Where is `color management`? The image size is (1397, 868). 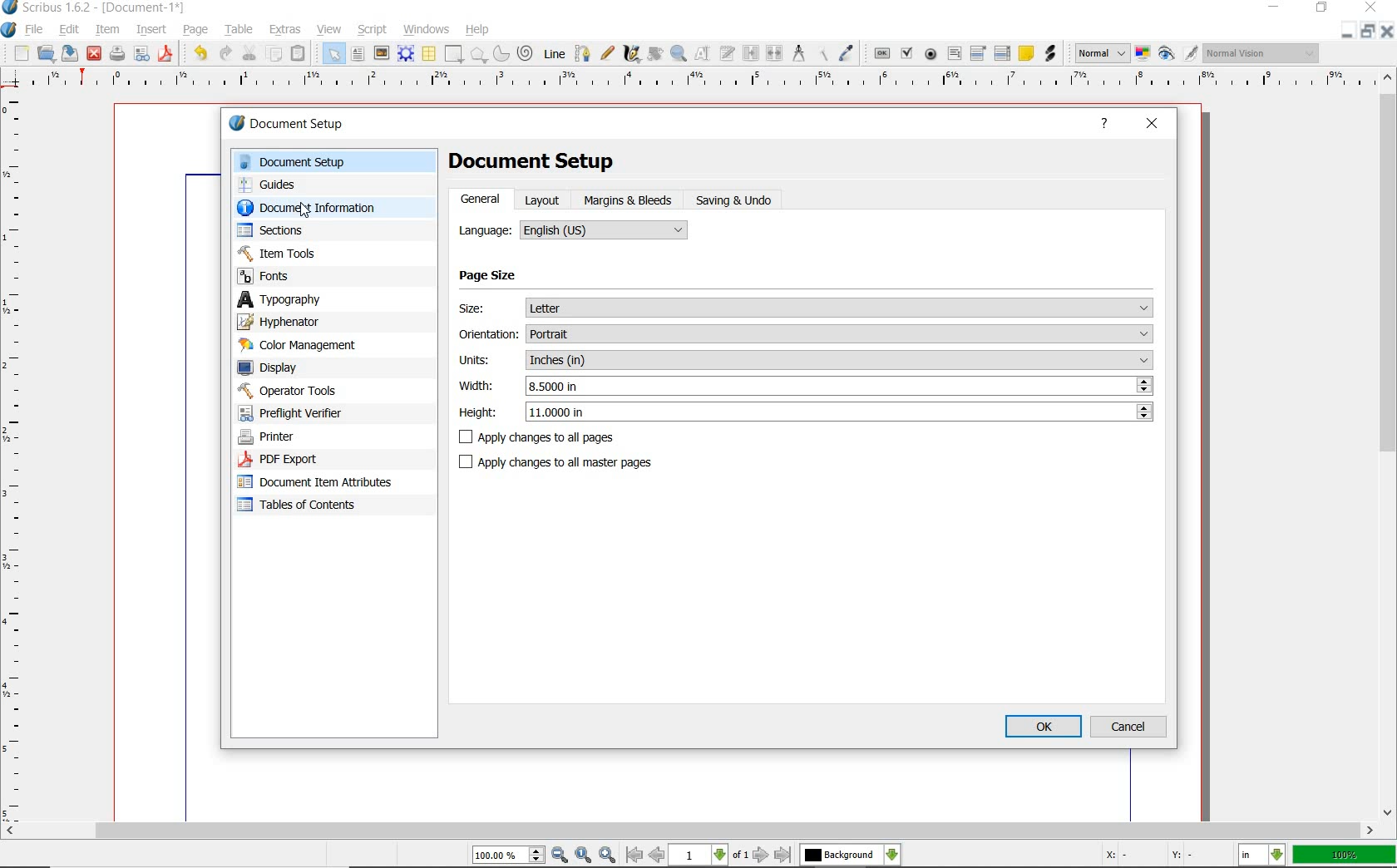
color management is located at coordinates (301, 345).